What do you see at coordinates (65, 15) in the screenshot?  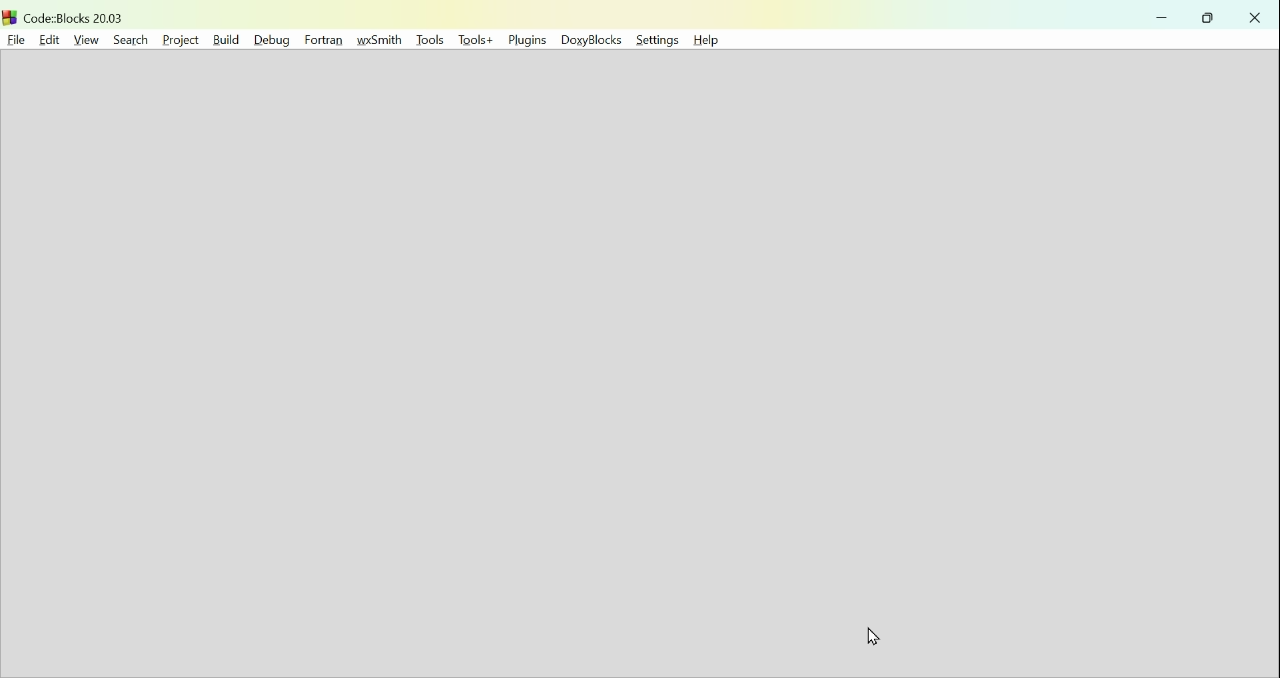 I see `Code blocks 20.03` at bounding box center [65, 15].